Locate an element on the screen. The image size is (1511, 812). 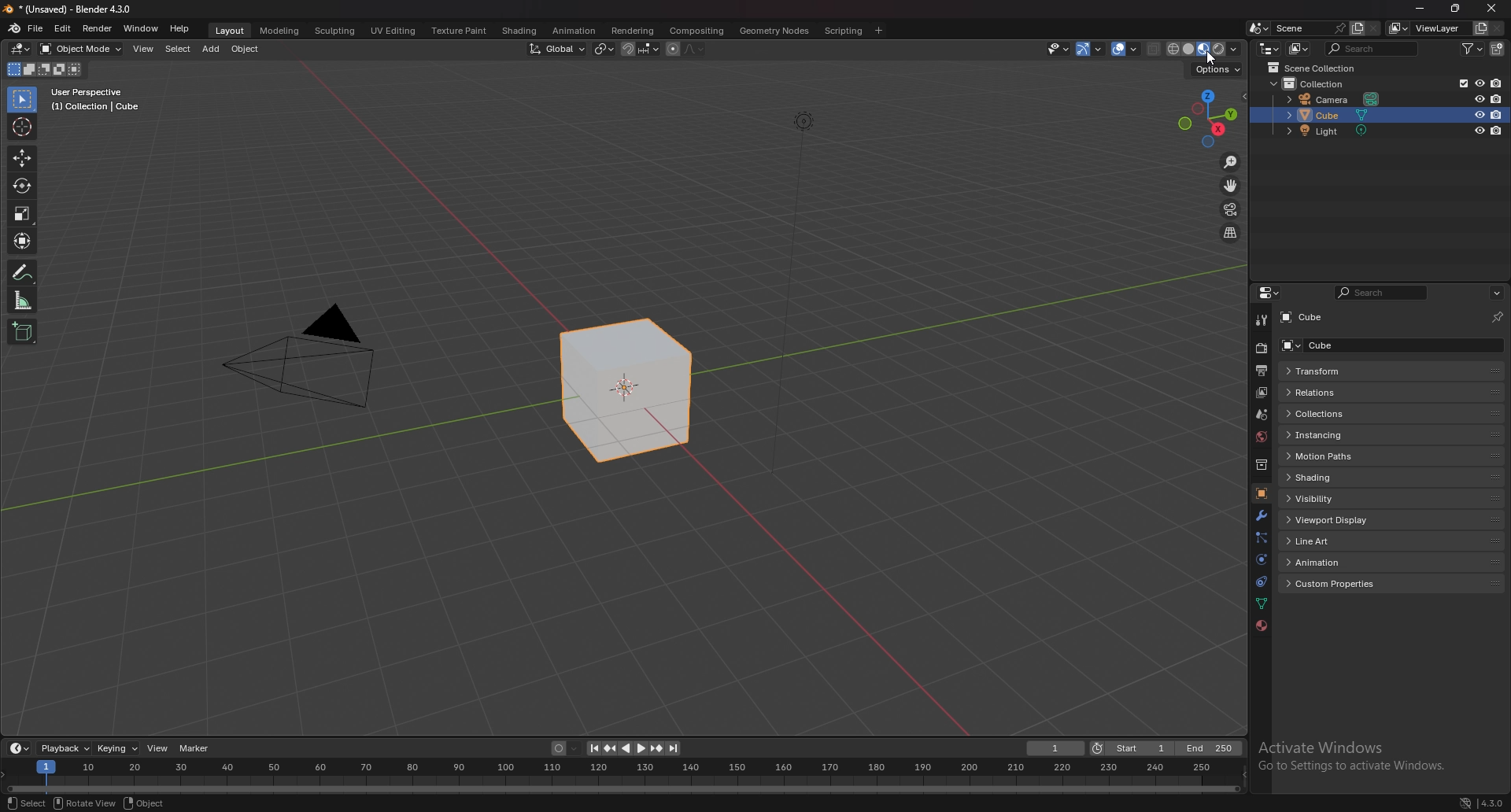
network is located at coordinates (1465, 802).